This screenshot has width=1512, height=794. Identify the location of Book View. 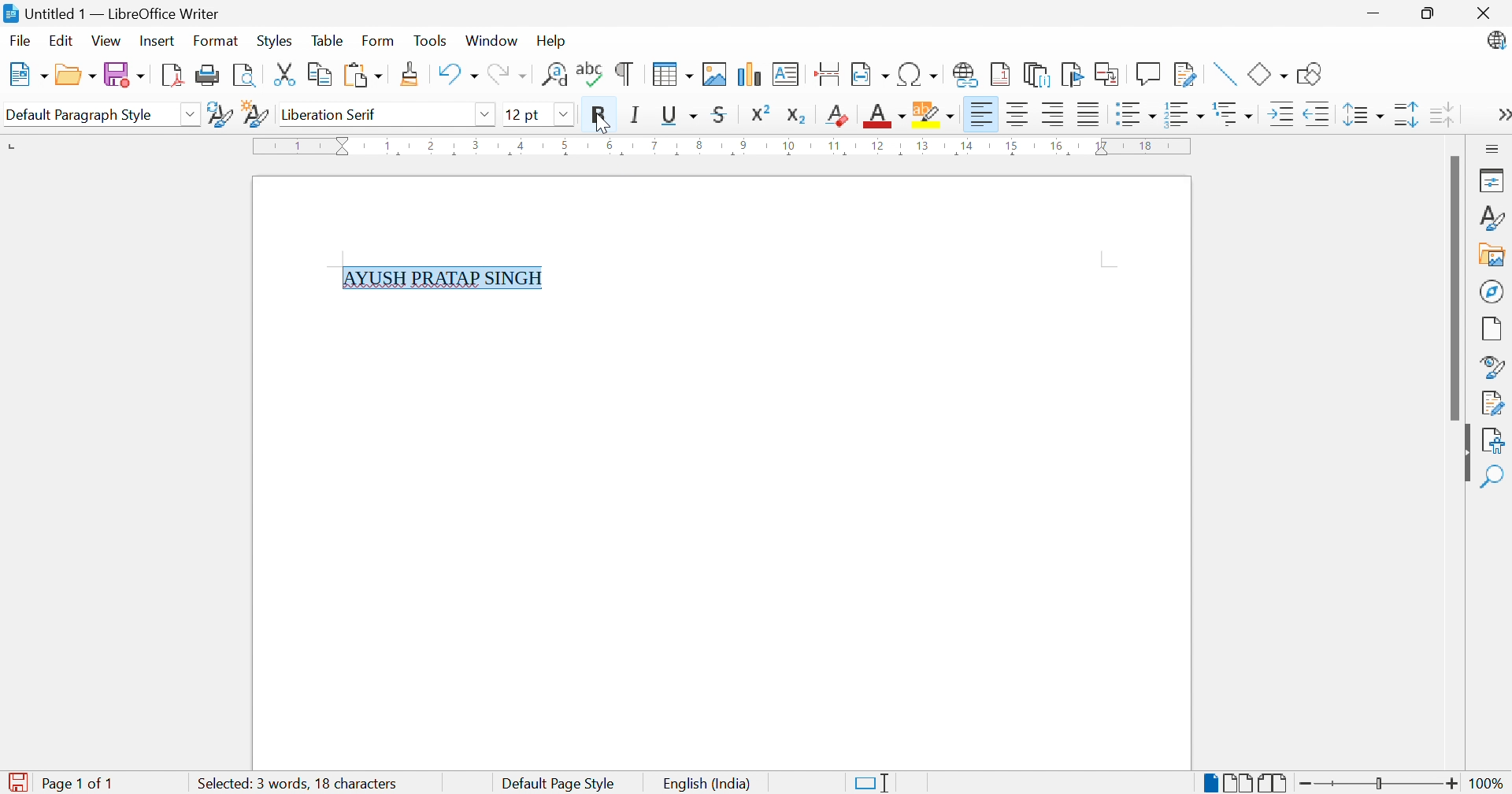
(1277, 781).